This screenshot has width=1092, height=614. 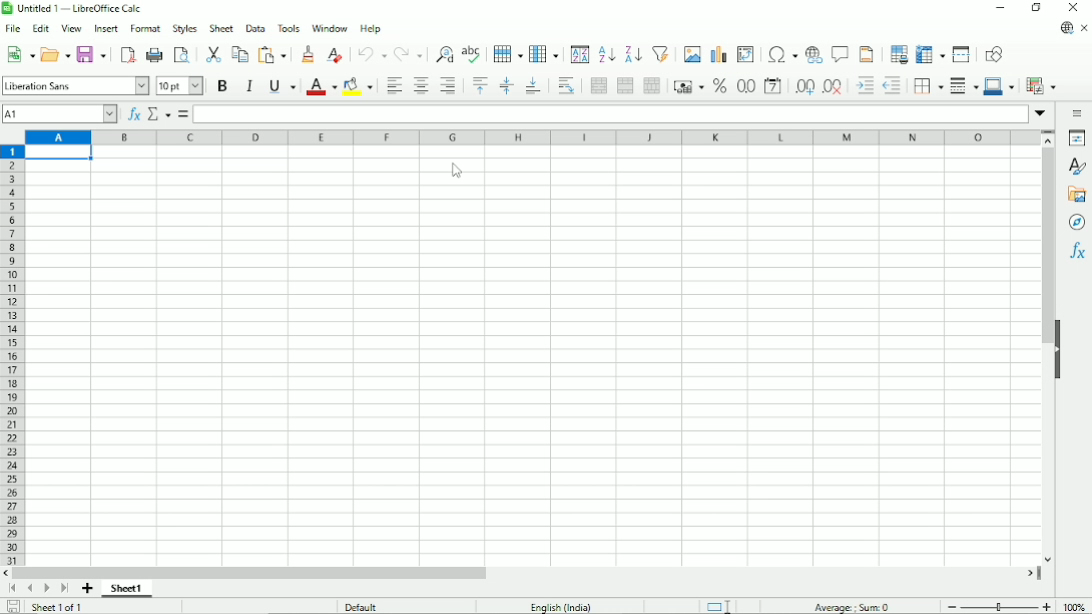 What do you see at coordinates (866, 53) in the screenshot?
I see `Headers and footers` at bounding box center [866, 53].